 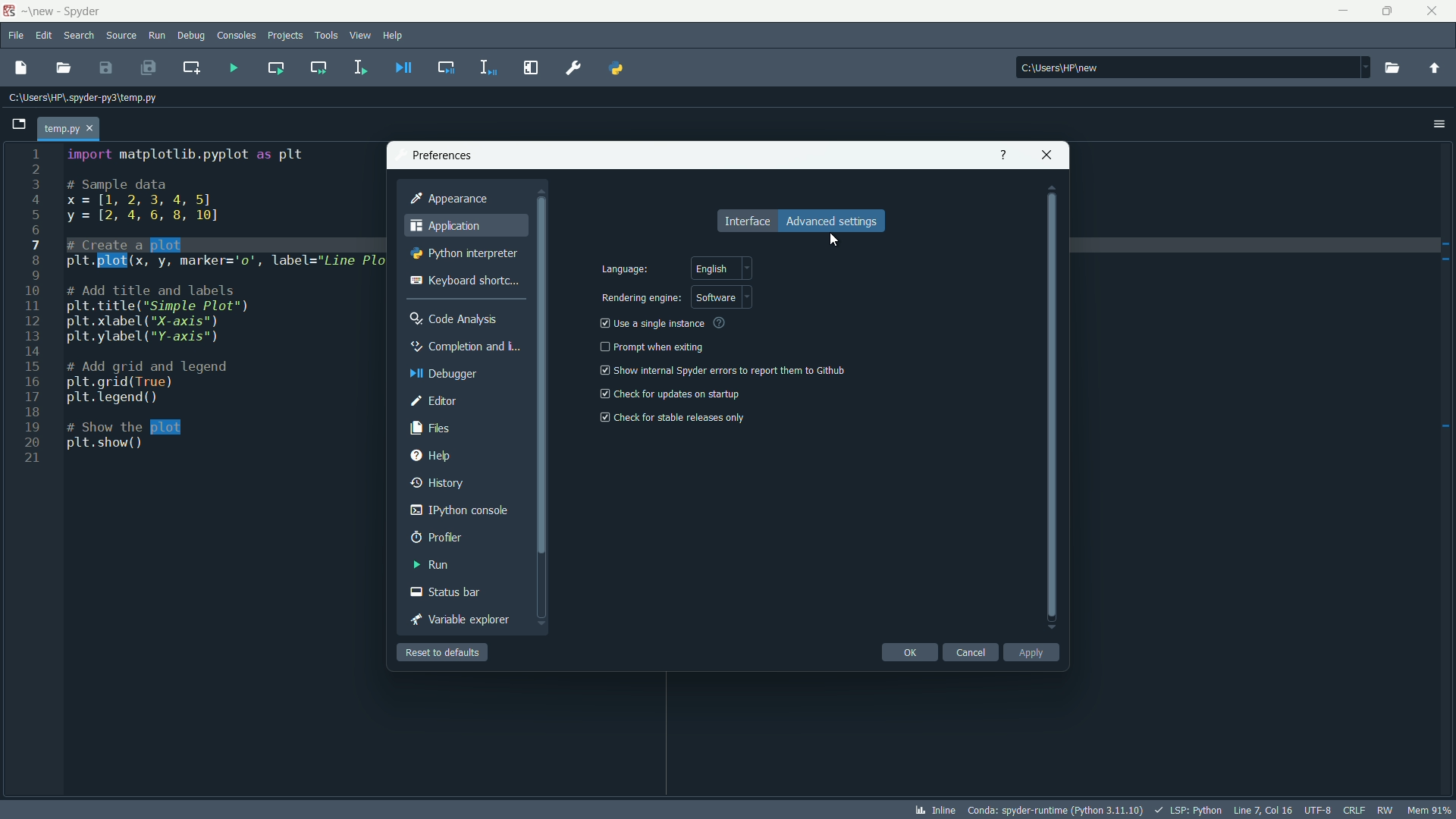 What do you see at coordinates (454, 318) in the screenshot?
I see `code analysis` at bounding box center [454, 318].